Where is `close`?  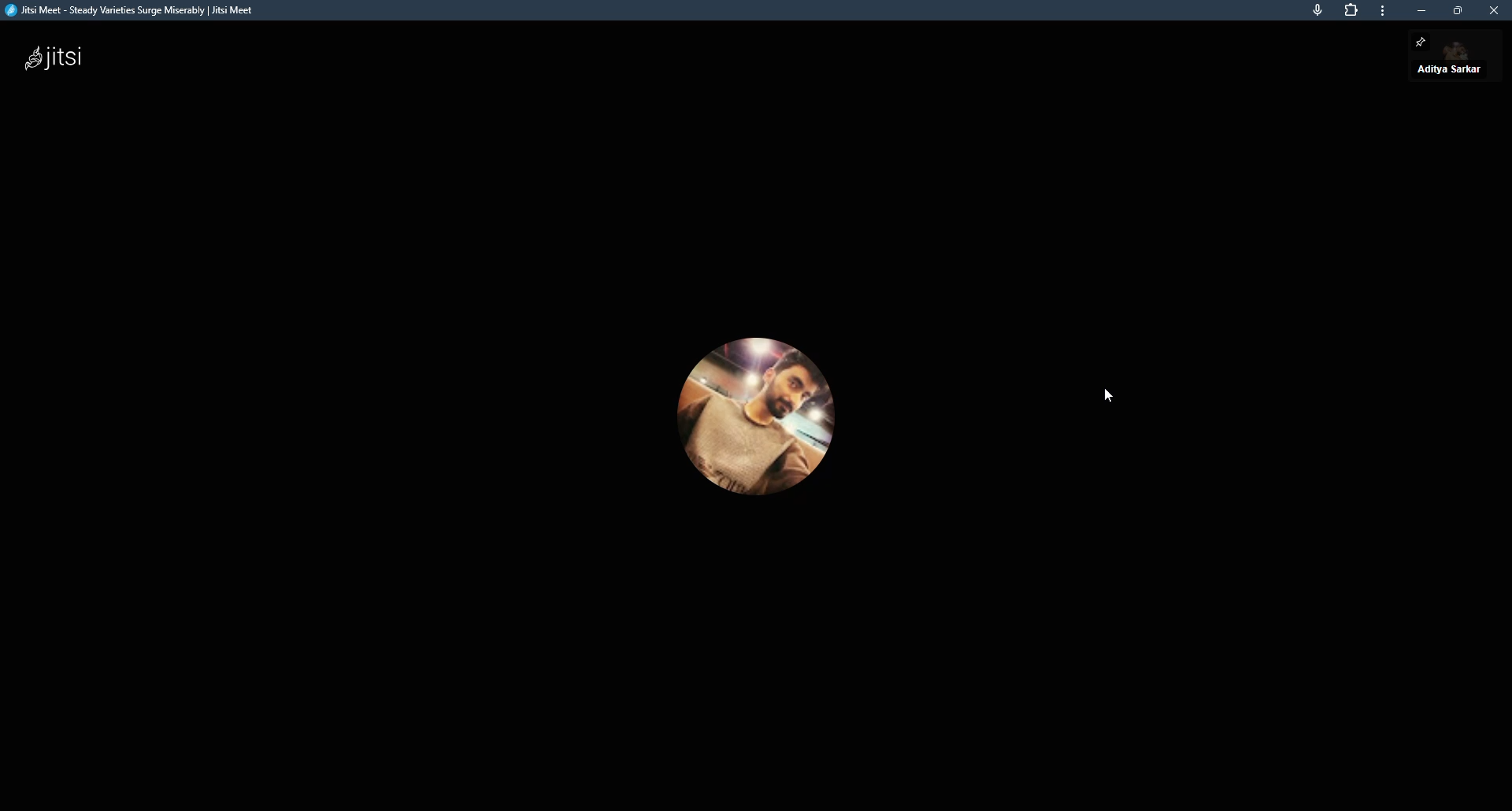 close is located at coordinates (1494, 12).